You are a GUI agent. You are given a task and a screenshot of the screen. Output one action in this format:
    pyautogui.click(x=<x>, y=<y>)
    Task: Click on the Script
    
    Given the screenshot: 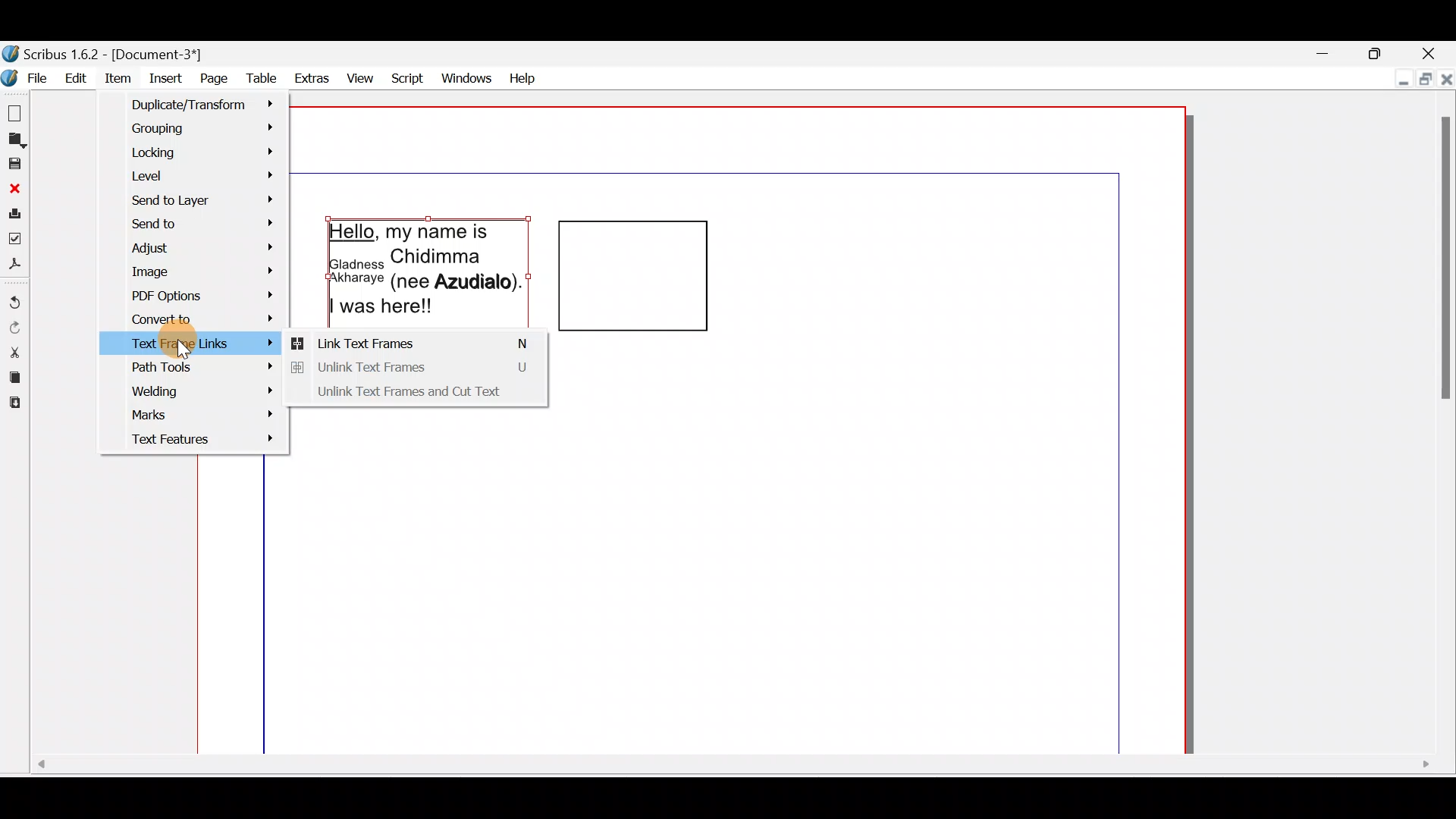 What is the action you would take?
    pyautogui.click(x=408, y=76)
    